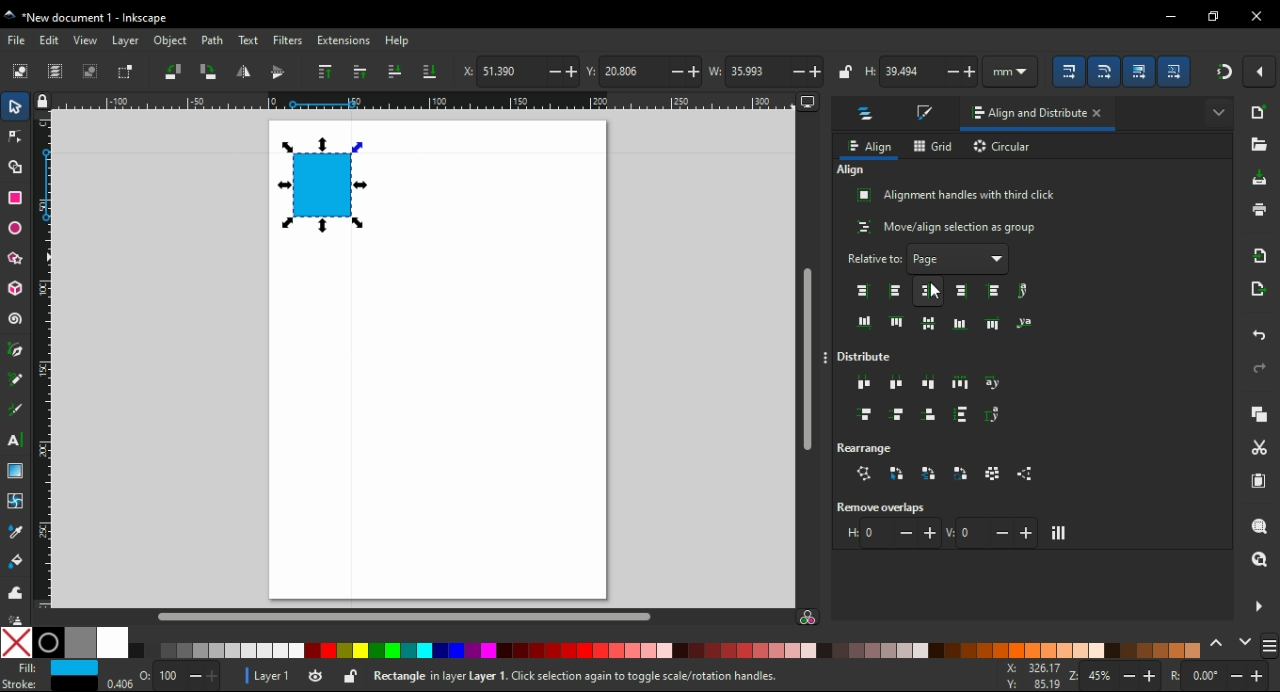 This screenshot has width=1280, height=692. I want to click on vertical coordinate of selection, so click(642, 70).